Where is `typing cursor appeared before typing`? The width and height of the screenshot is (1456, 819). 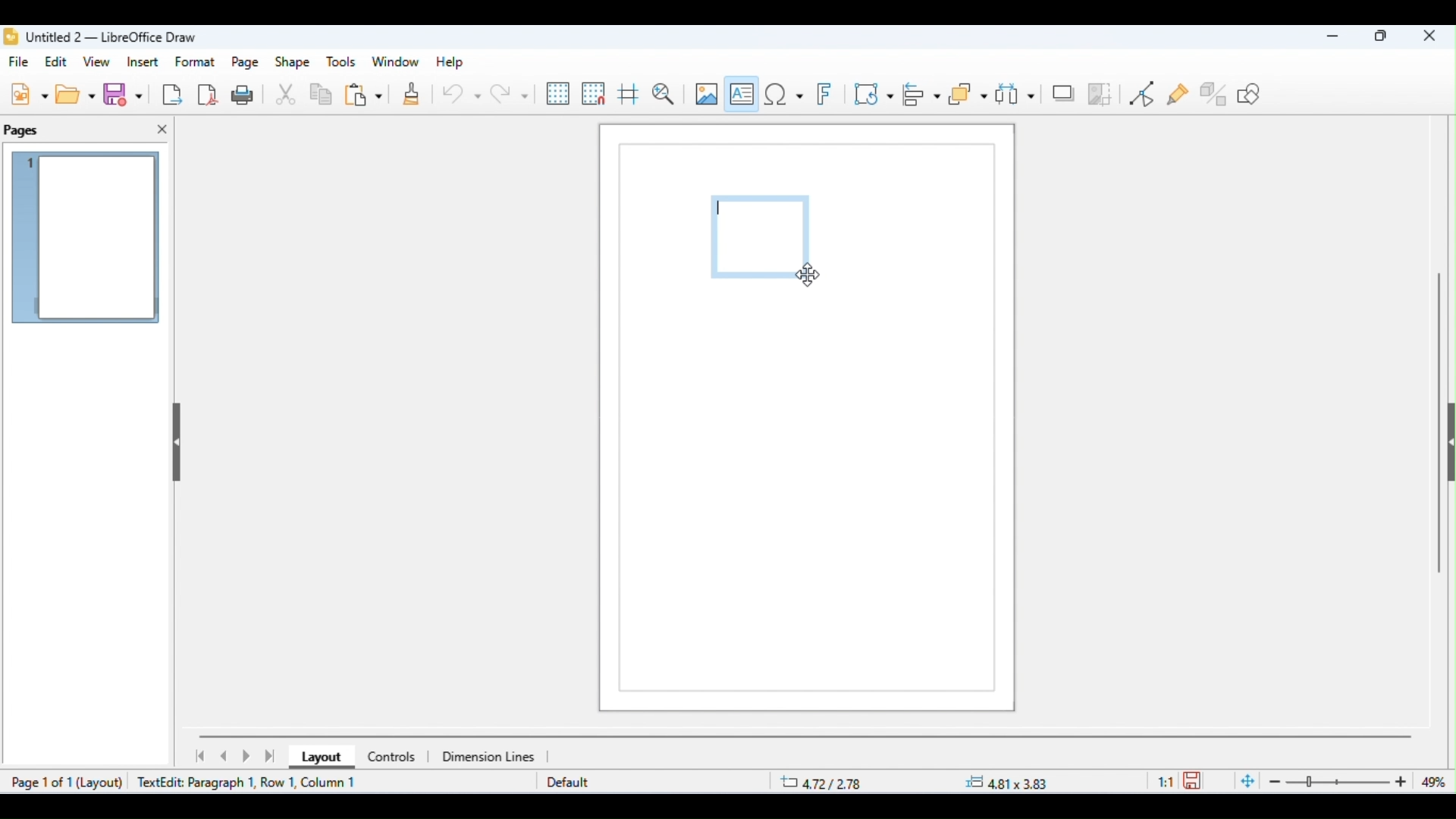 typing cursor appeared before typing is located at coordinates (723, 212).